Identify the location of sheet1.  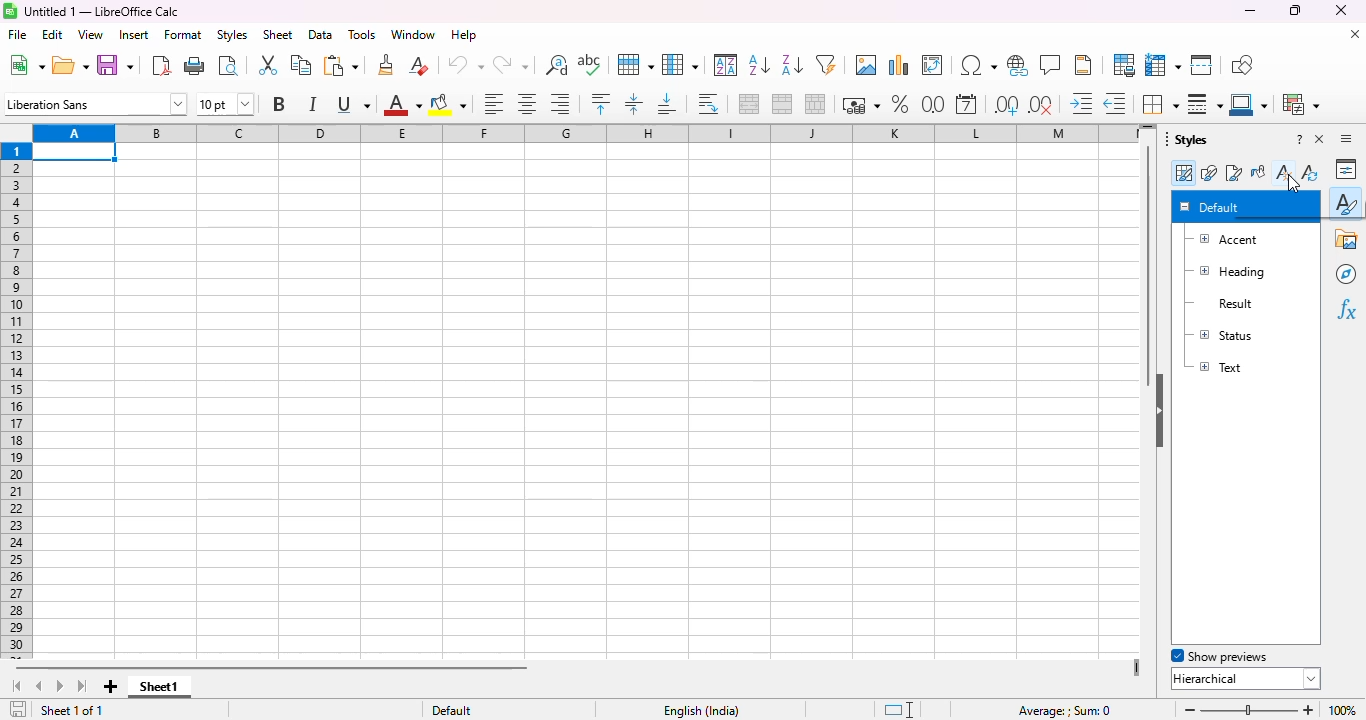
(159, 687).